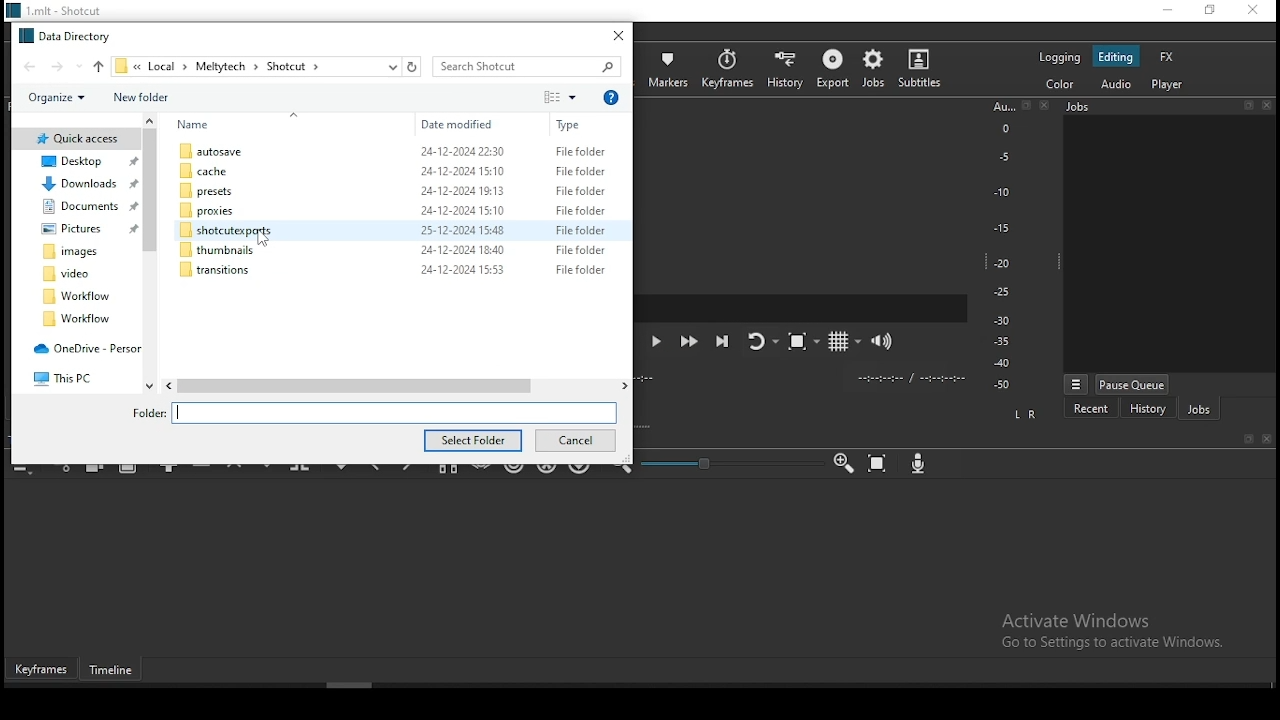 This screenshot has height=720, width=1280. Describe the element at coordinates (116, 672) in the screenshot. I see `timeline` at that location.